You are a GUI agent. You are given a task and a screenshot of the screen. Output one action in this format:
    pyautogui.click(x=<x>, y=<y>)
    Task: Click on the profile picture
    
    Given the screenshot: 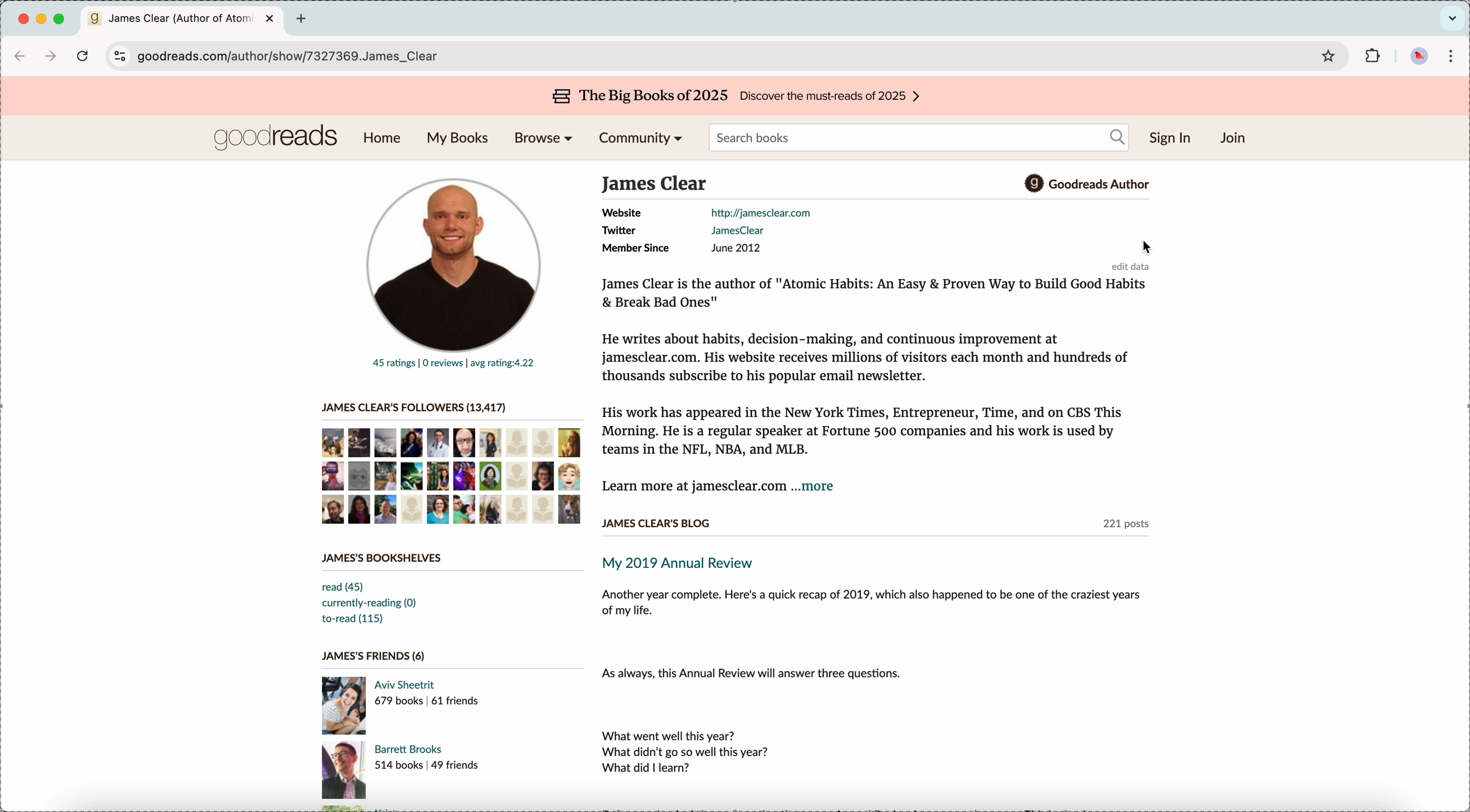 What is the action you would take?
    pyautogui.click(x=1416, y=56)
    